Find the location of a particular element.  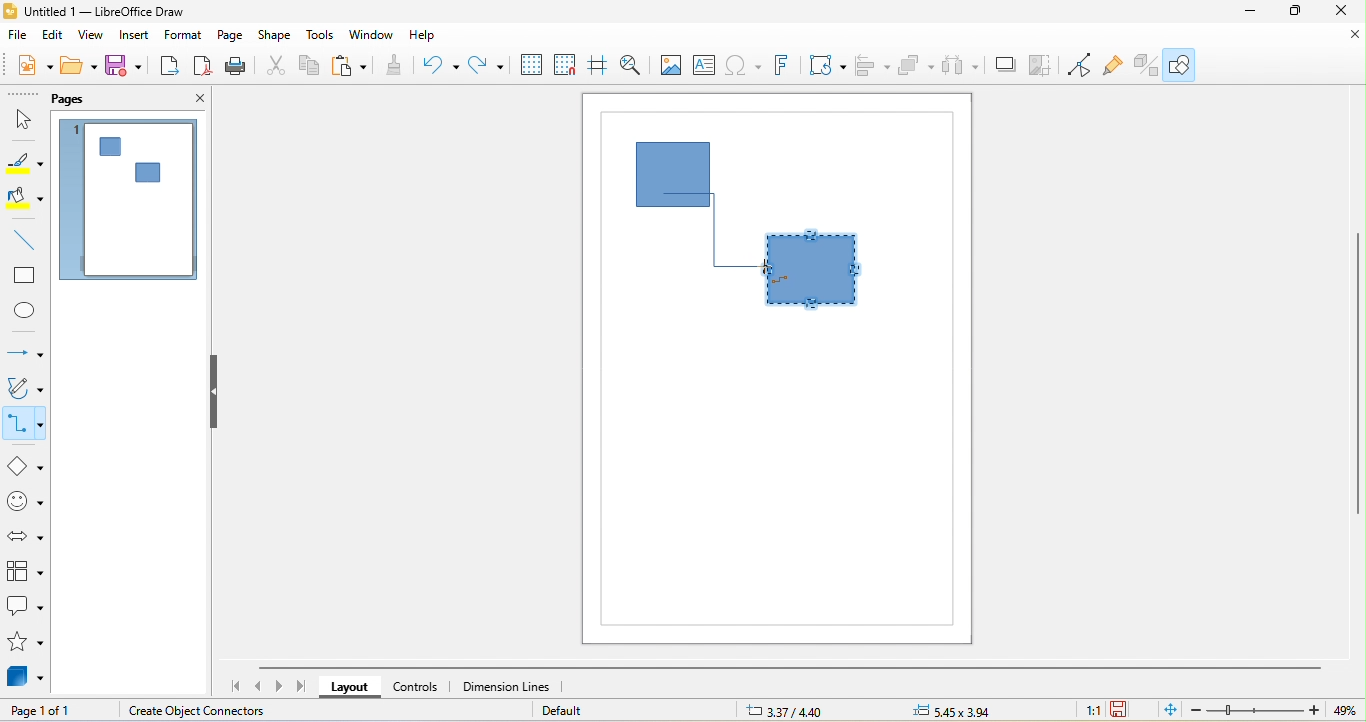

hide is located at coordinates (213, 392).